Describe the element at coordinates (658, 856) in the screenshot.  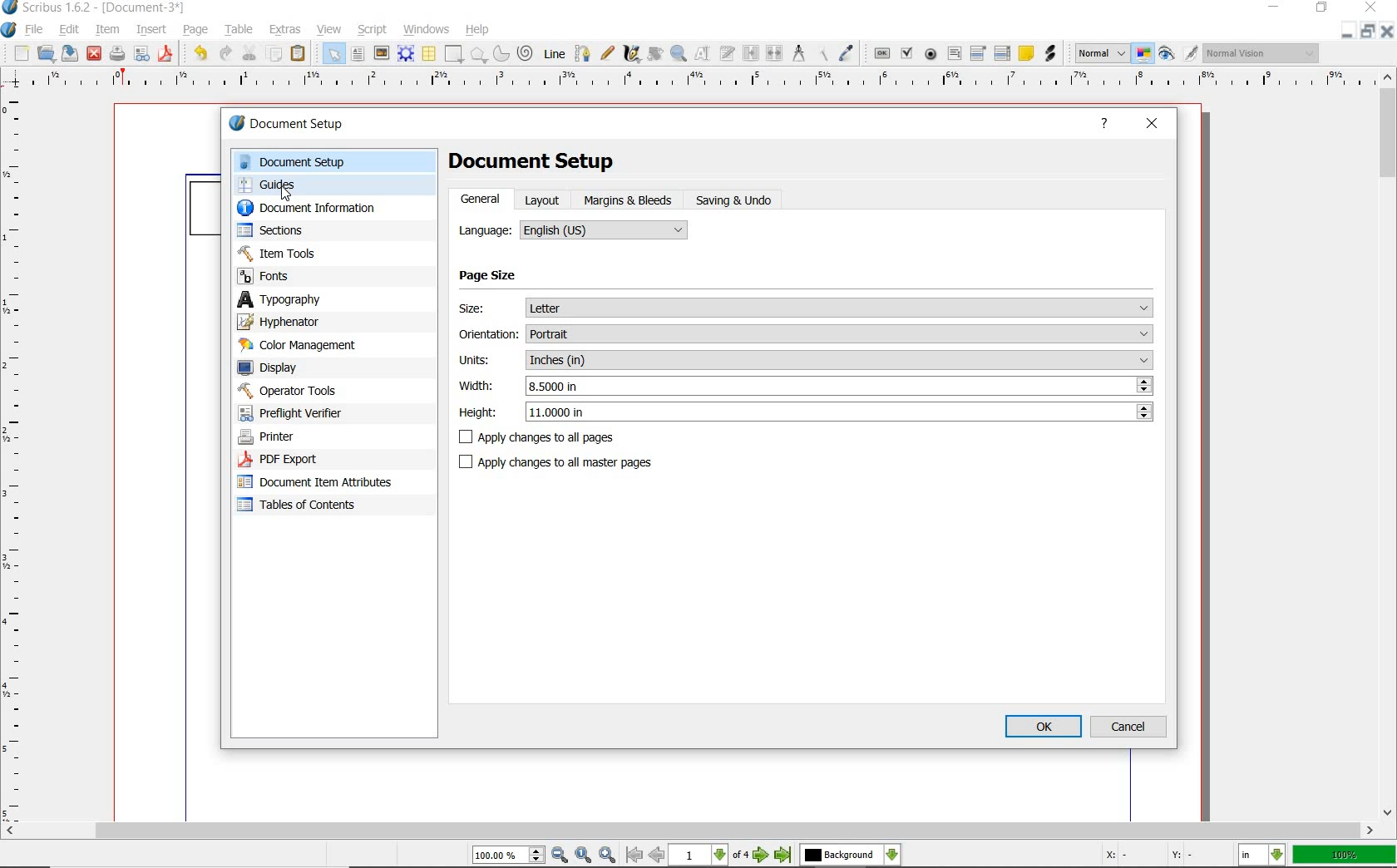
I see `go to previous page` at that location.